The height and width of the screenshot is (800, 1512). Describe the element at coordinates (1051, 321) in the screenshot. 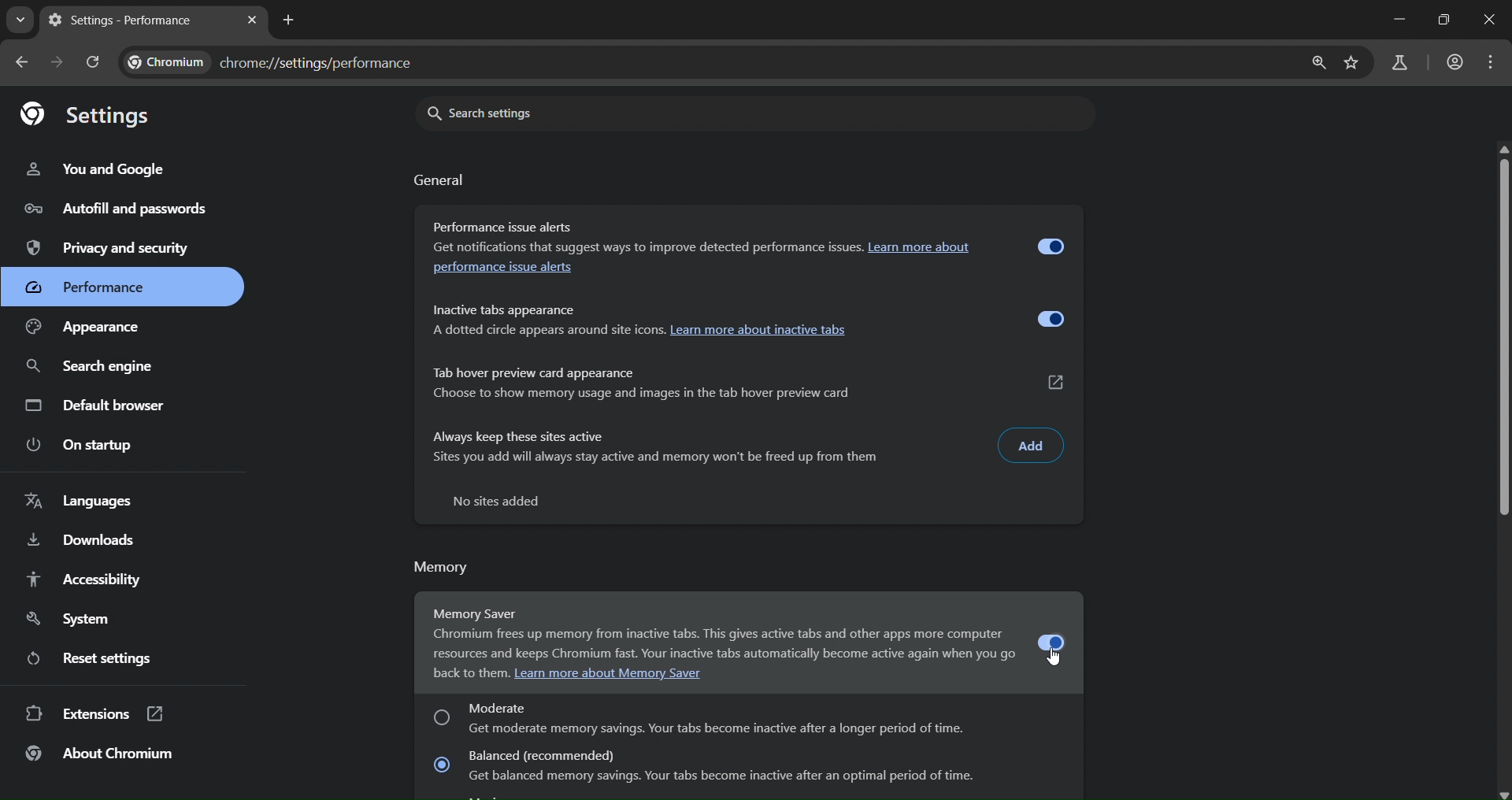

I see `toggle button` at that location.